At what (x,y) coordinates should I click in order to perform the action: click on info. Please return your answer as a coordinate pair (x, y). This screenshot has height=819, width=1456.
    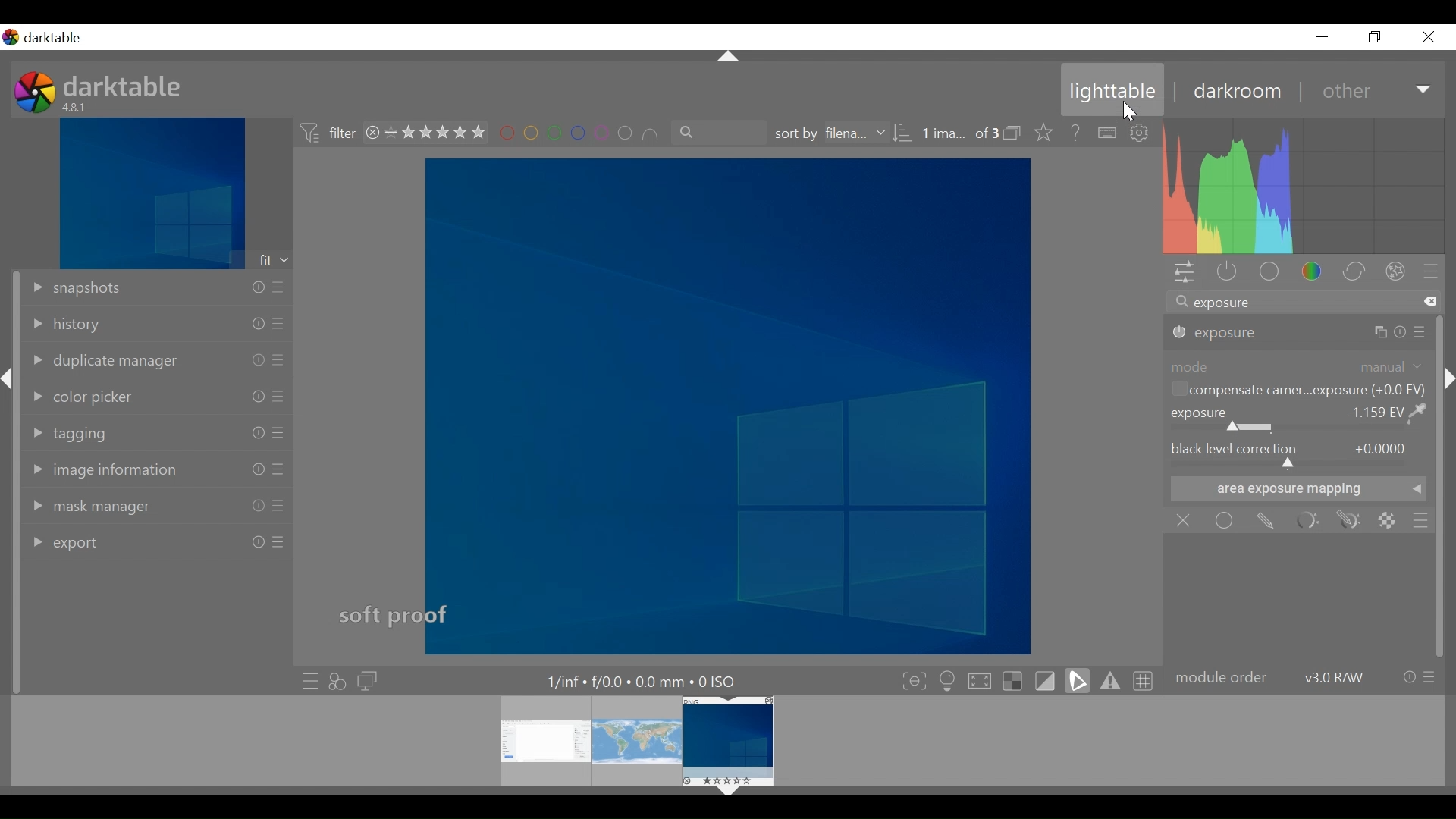
    Looking at the image, I should click on (257, 324).